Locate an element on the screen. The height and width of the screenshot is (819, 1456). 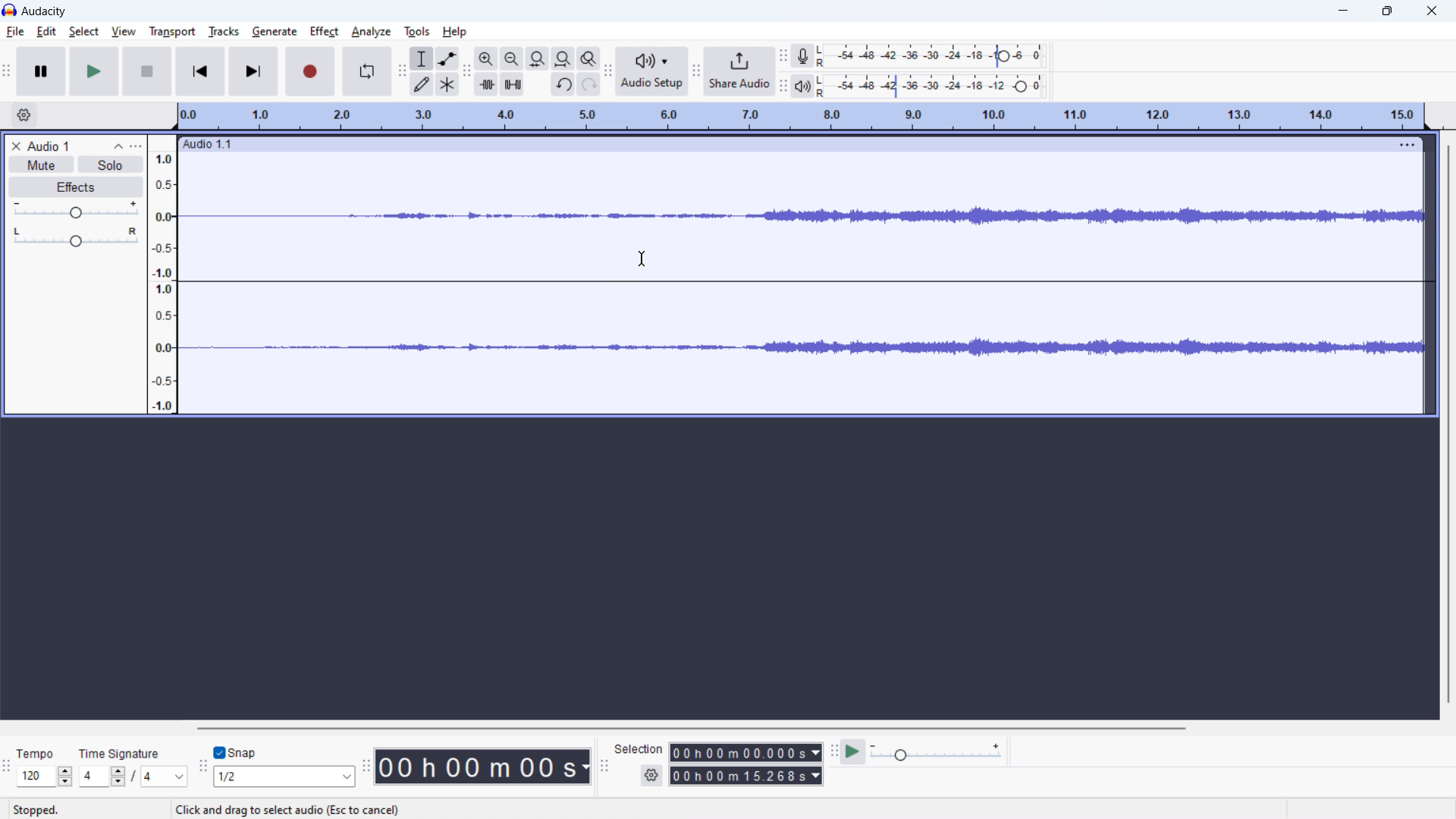
cursor is located at coordinates (642, 259).